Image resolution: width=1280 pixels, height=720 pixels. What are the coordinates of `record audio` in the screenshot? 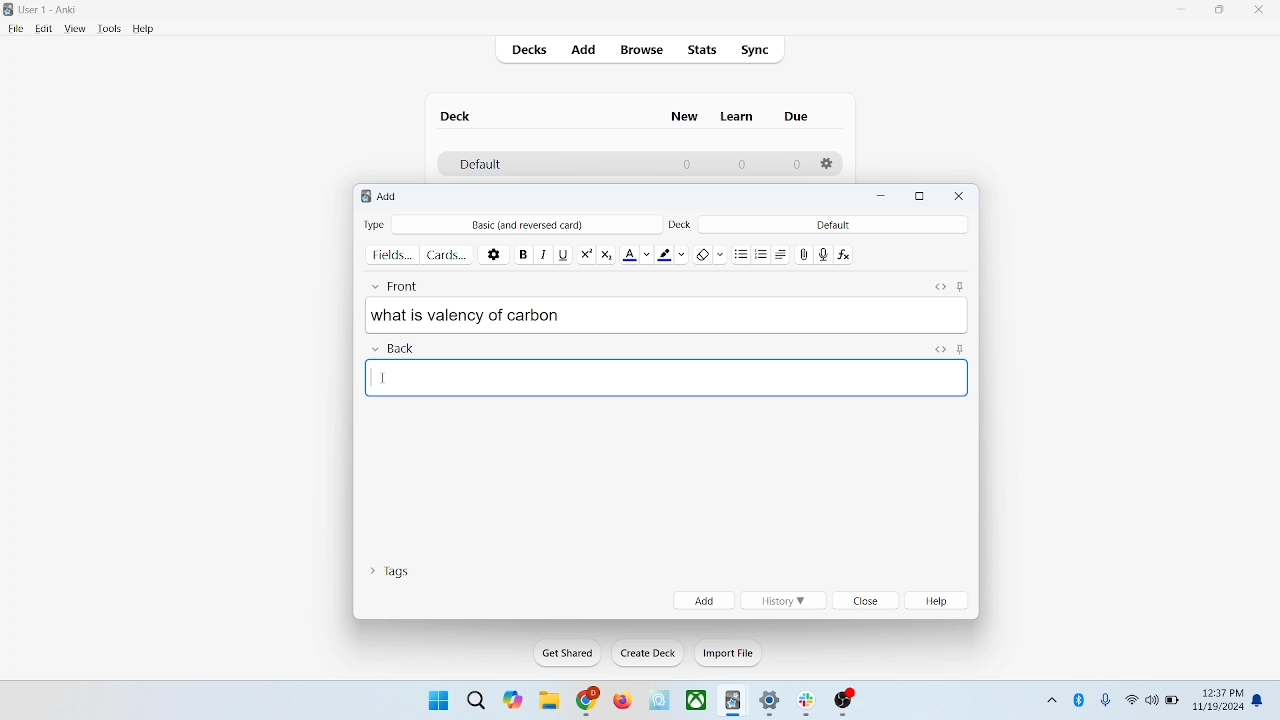 It's located at (824, 254).